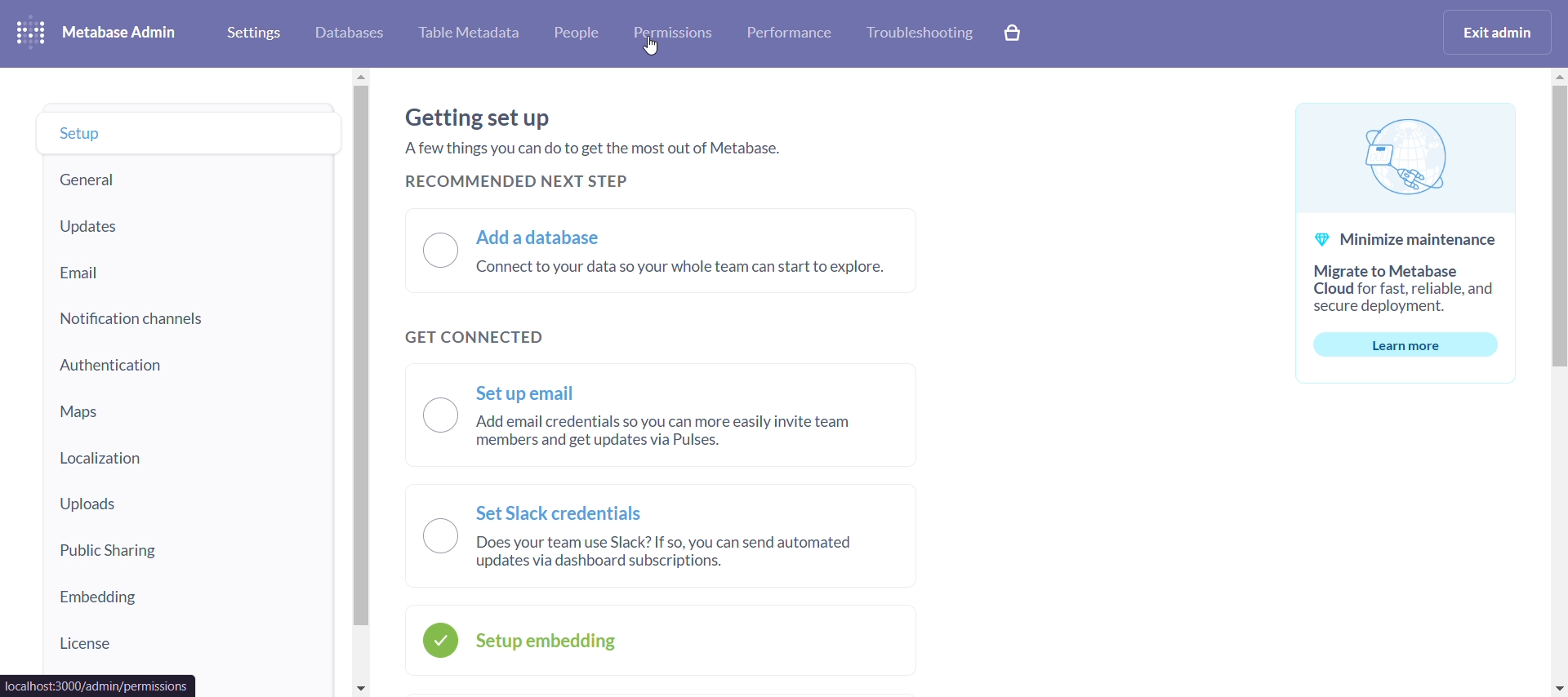 Image resolution: width=1568 pixels, height=697 pixels. What do you see at coordinates (660, 411) in the screenshot?
I see `set up email` at bounding box center [660, 411].